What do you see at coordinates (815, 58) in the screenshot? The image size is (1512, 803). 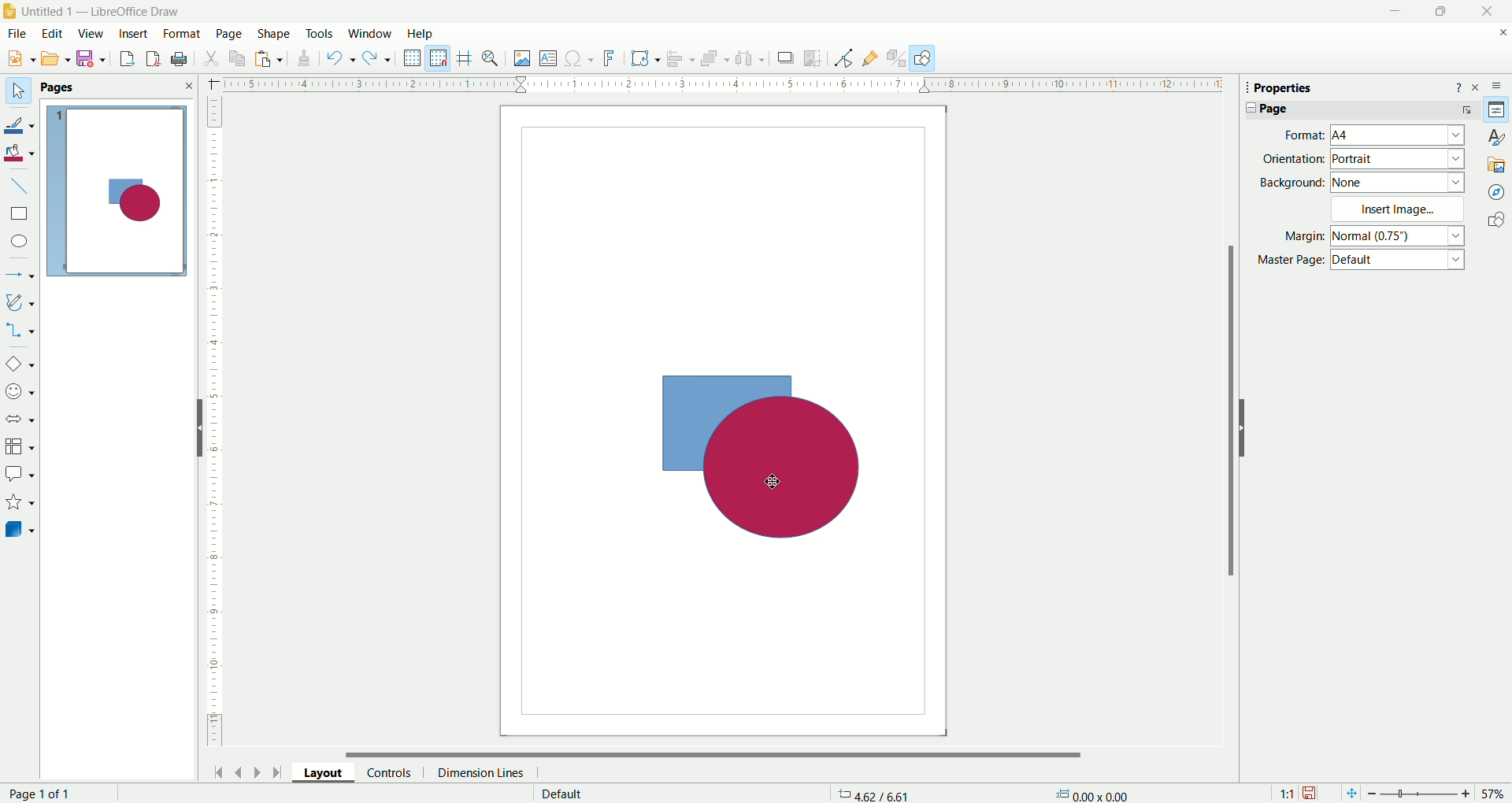 I see `crop image` at bounding box center [815, 58].